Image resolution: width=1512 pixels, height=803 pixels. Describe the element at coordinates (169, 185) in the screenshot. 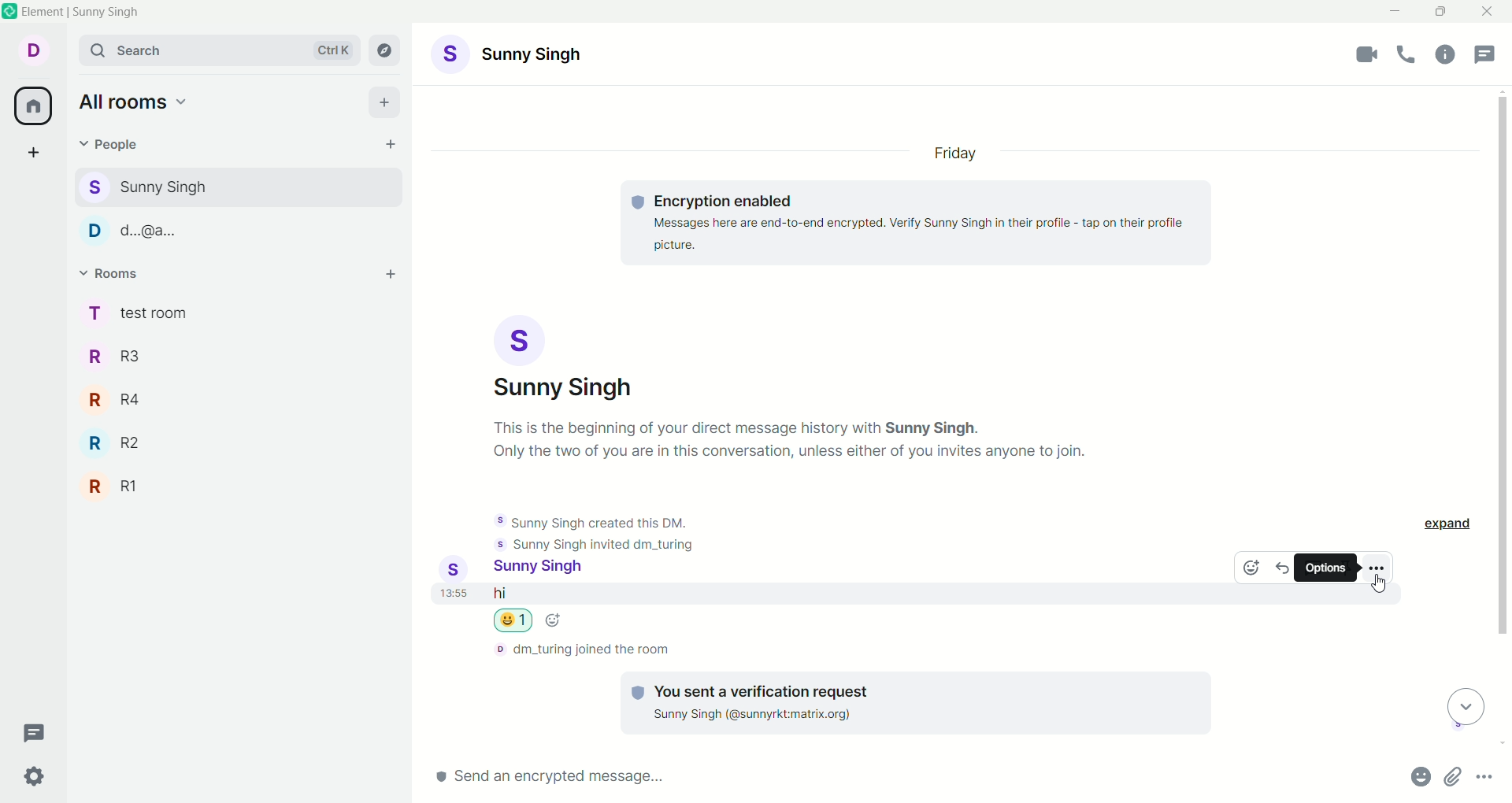

I see `people` at that location.